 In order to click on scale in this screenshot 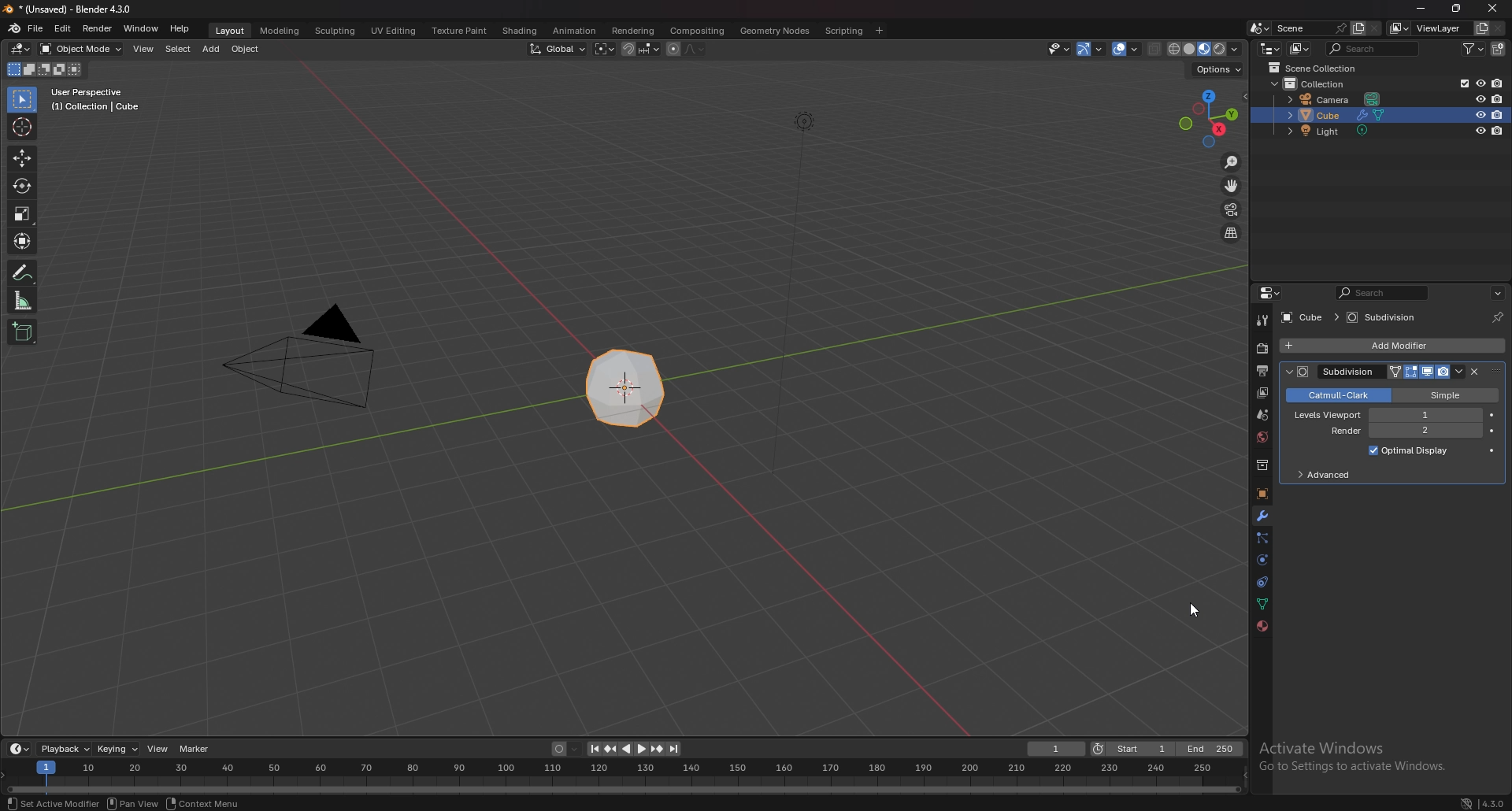, I will do `click(23, 214)`.